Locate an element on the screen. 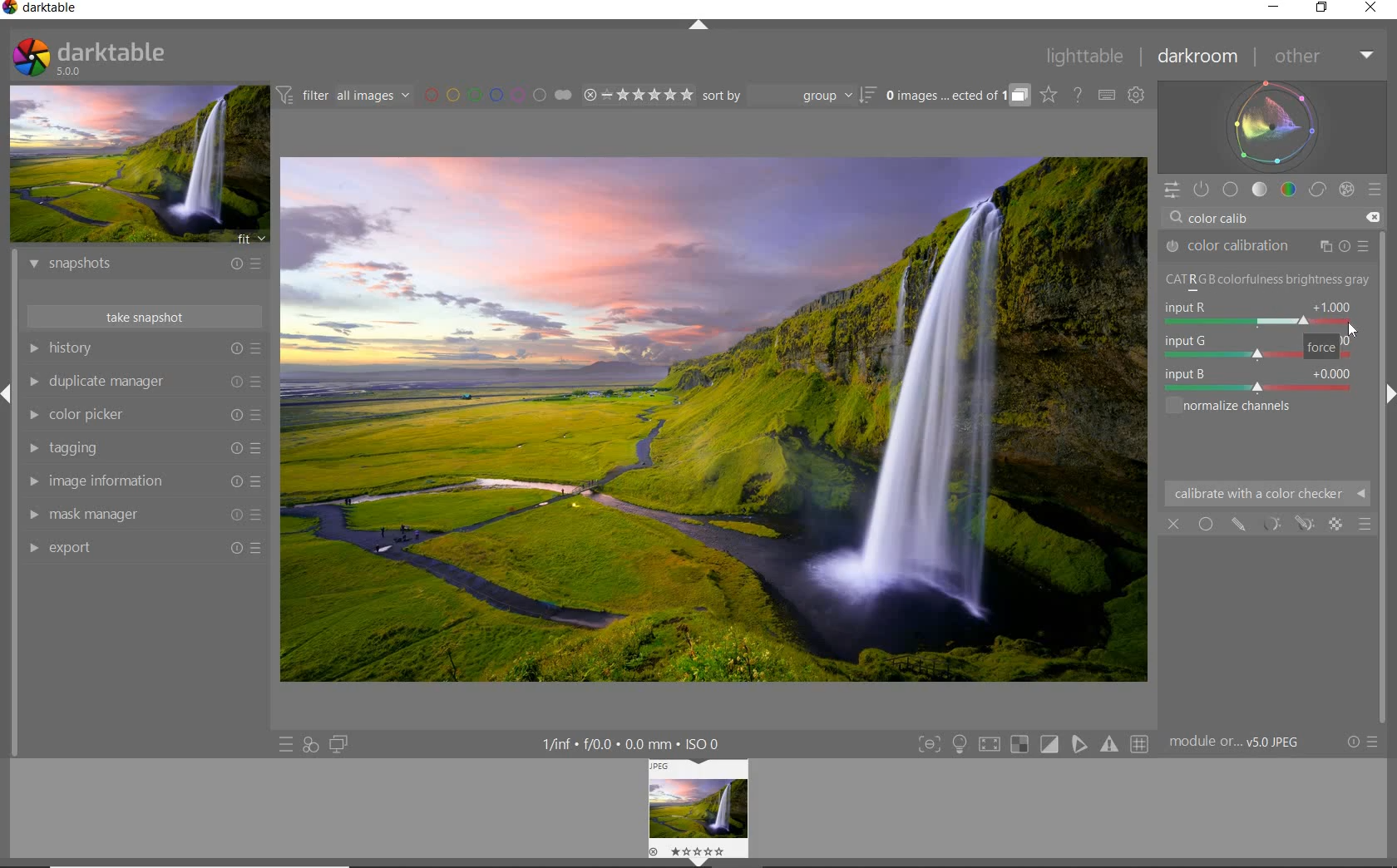  color is located at coordinates (1287, 190).